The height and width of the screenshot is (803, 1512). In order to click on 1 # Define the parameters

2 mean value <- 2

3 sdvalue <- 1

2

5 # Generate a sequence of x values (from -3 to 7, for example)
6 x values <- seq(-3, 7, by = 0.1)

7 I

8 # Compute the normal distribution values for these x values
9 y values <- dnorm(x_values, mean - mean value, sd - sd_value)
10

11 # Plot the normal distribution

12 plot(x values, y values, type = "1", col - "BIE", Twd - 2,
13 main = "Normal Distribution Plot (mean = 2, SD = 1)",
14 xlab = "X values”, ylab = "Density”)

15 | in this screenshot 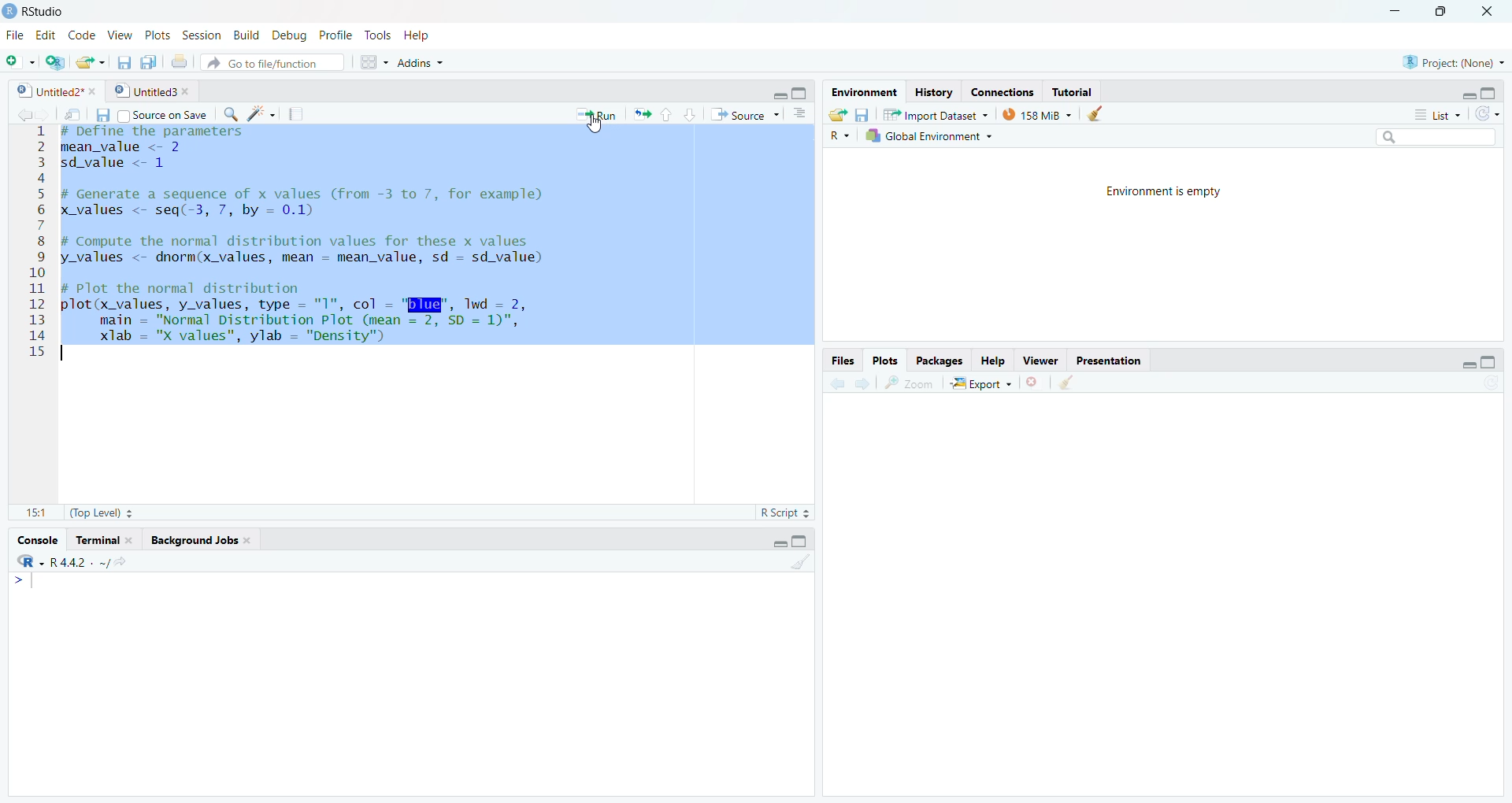, I will do `click(315, 257)`.